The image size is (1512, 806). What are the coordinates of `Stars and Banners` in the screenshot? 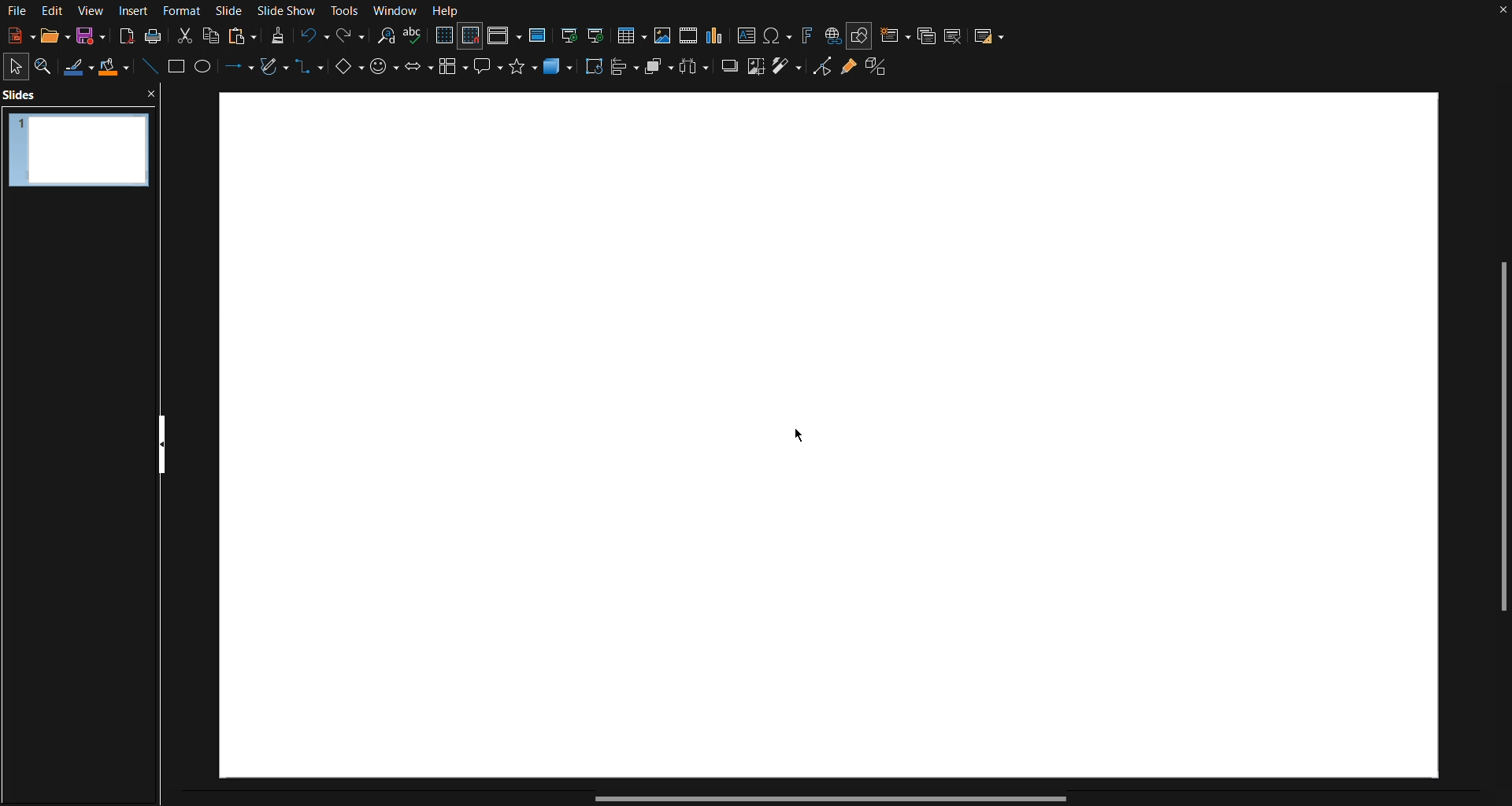 It's located at (524, 72).